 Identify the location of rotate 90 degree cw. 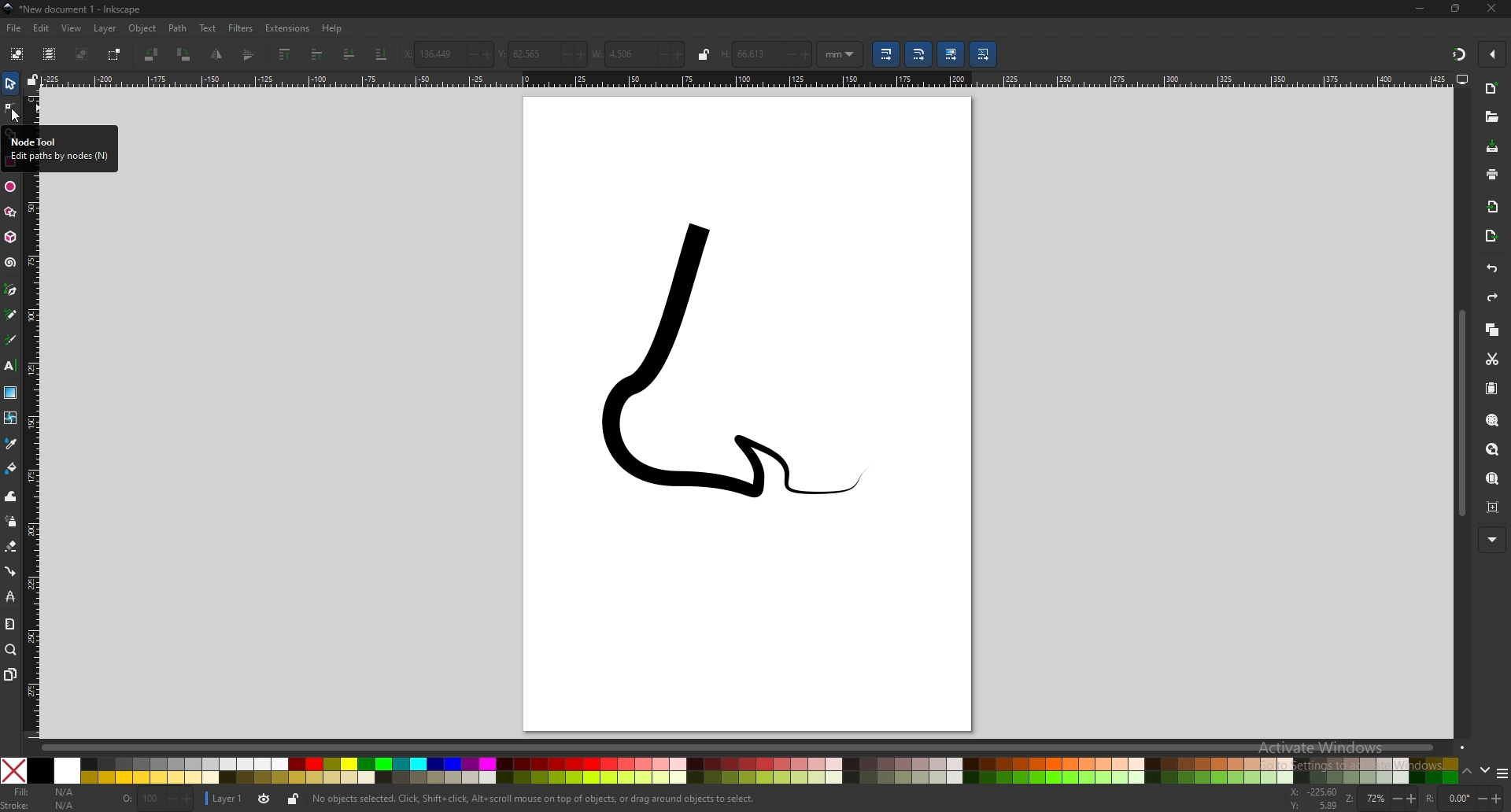
(185, 54).